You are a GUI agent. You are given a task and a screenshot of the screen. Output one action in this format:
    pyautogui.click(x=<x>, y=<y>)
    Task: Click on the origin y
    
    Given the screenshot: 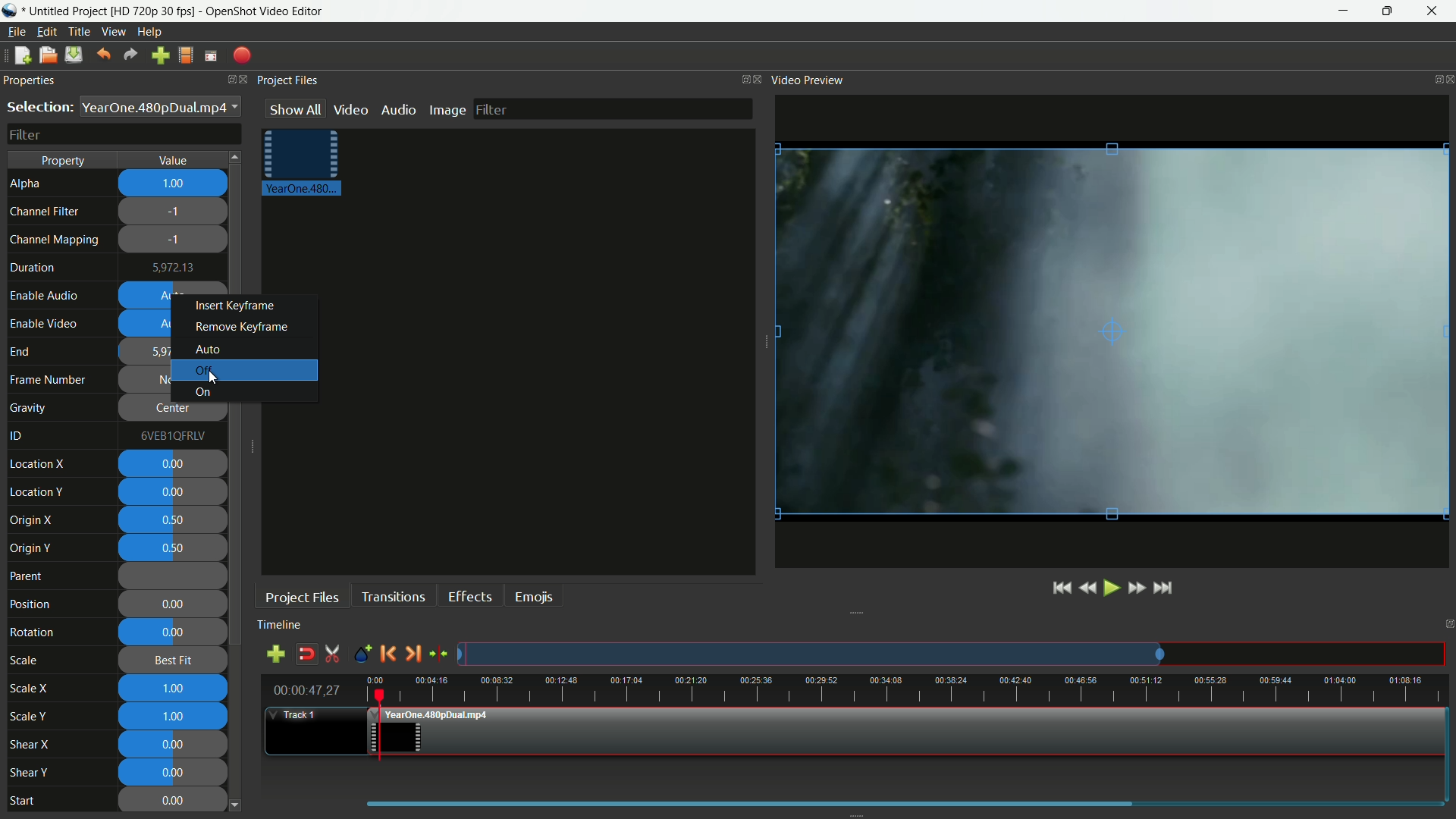 What is the action you would take?
    pyautogui.click(x=31, y=548)
    